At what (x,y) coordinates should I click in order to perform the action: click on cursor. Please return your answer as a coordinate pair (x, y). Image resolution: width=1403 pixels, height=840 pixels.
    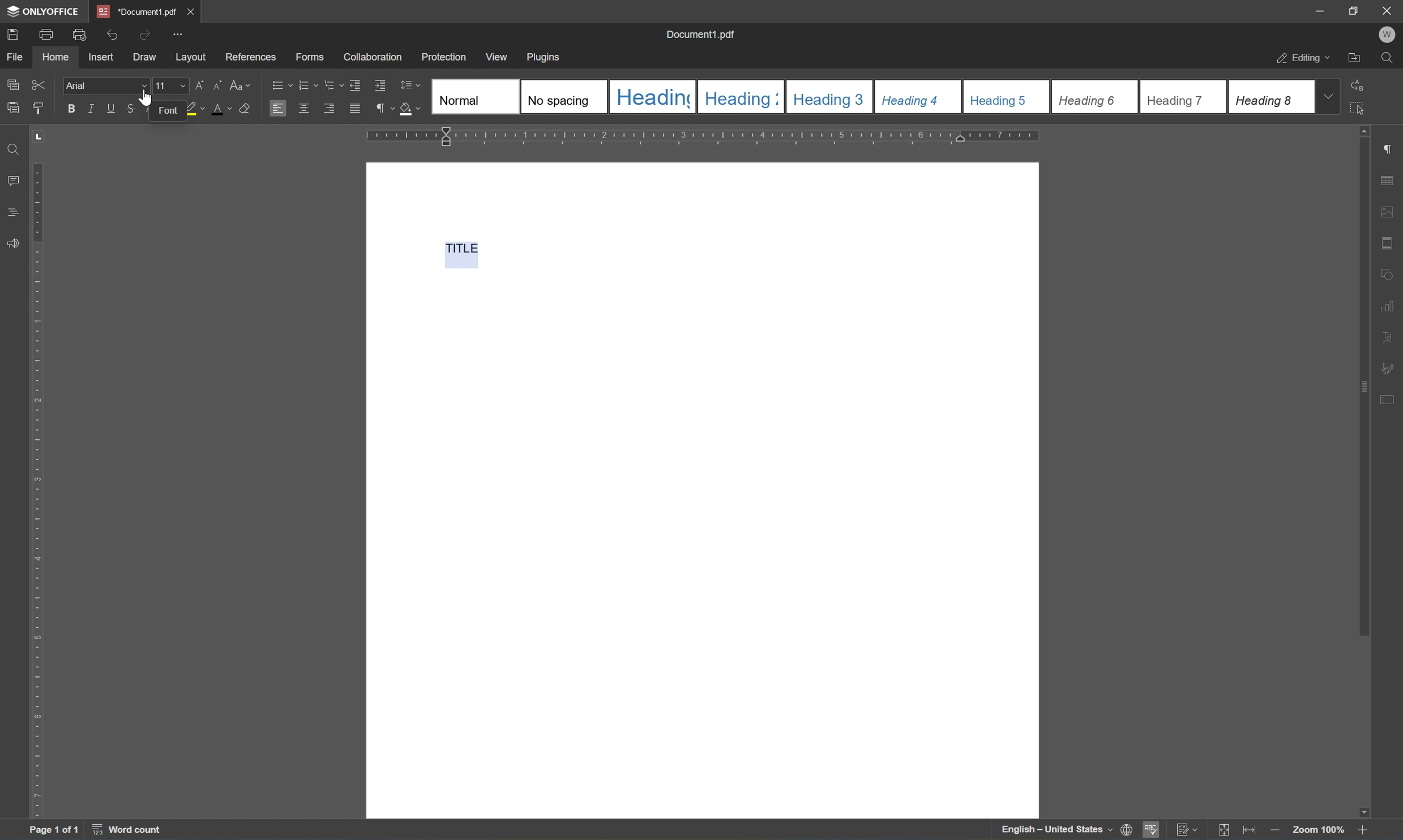
    Looking at the image, I should click on (145, 96).